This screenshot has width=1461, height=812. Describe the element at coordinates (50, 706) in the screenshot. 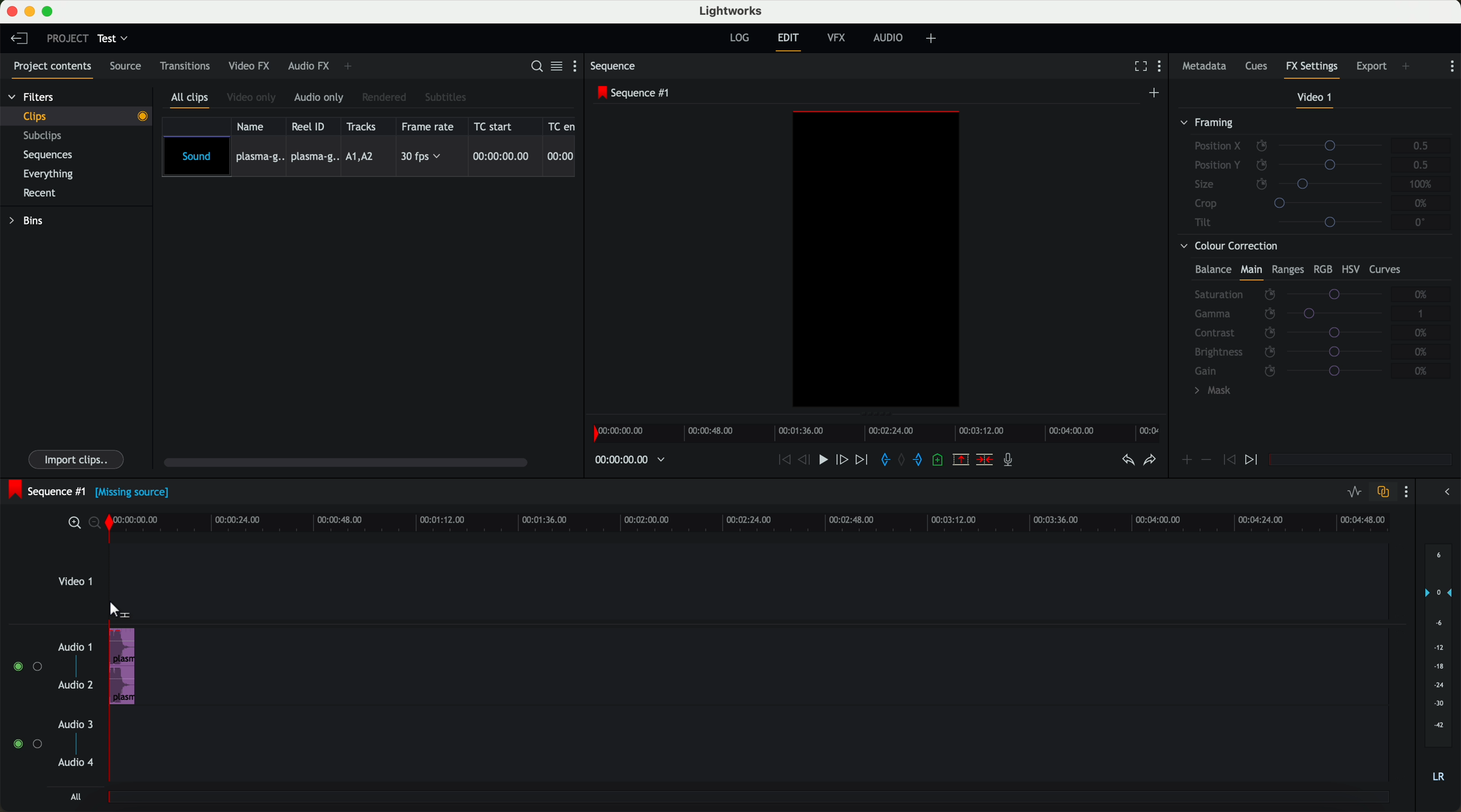

I see `audios` at that location.